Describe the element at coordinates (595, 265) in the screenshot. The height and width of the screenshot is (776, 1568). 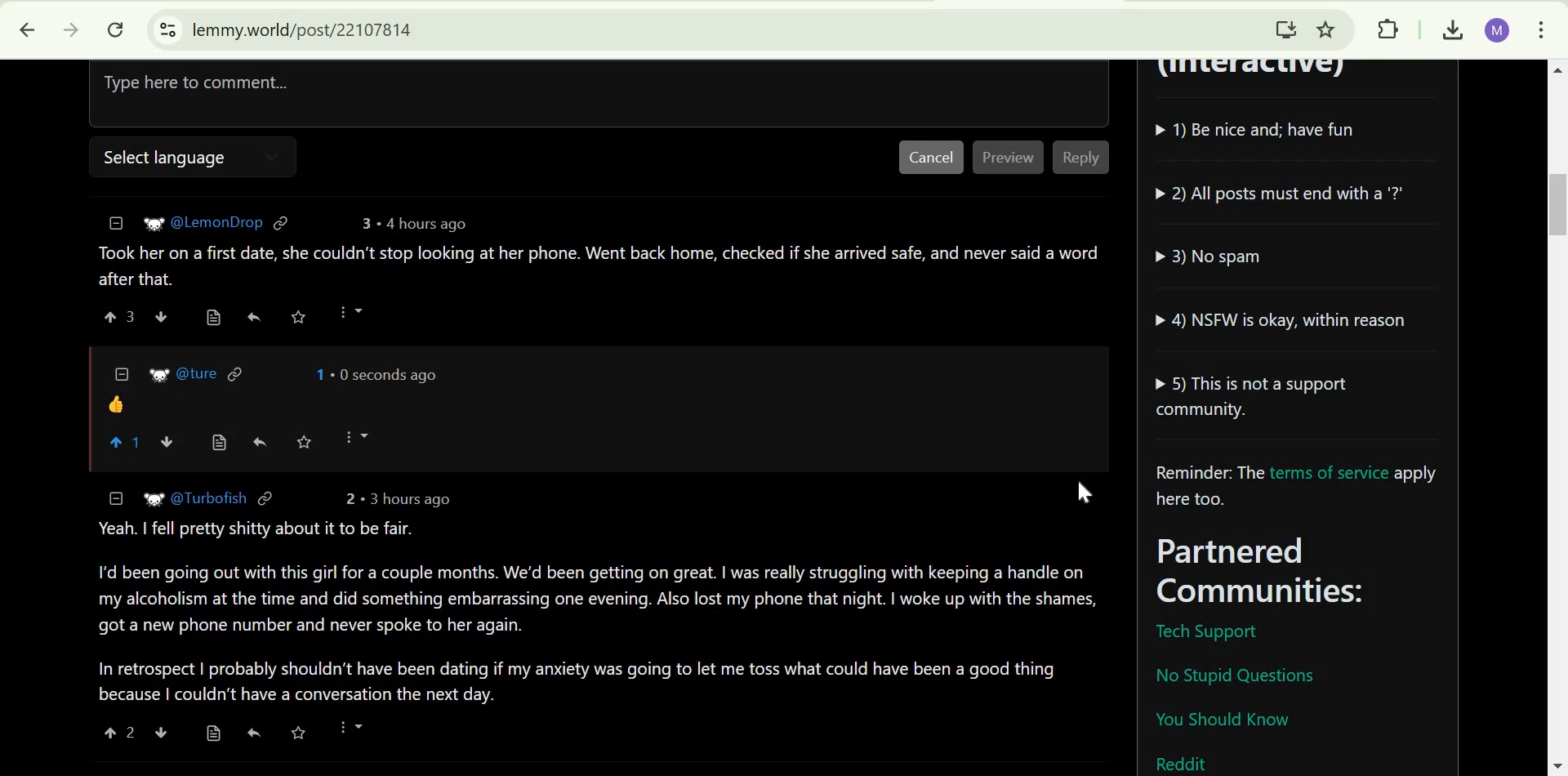
I see `comment` at that location.